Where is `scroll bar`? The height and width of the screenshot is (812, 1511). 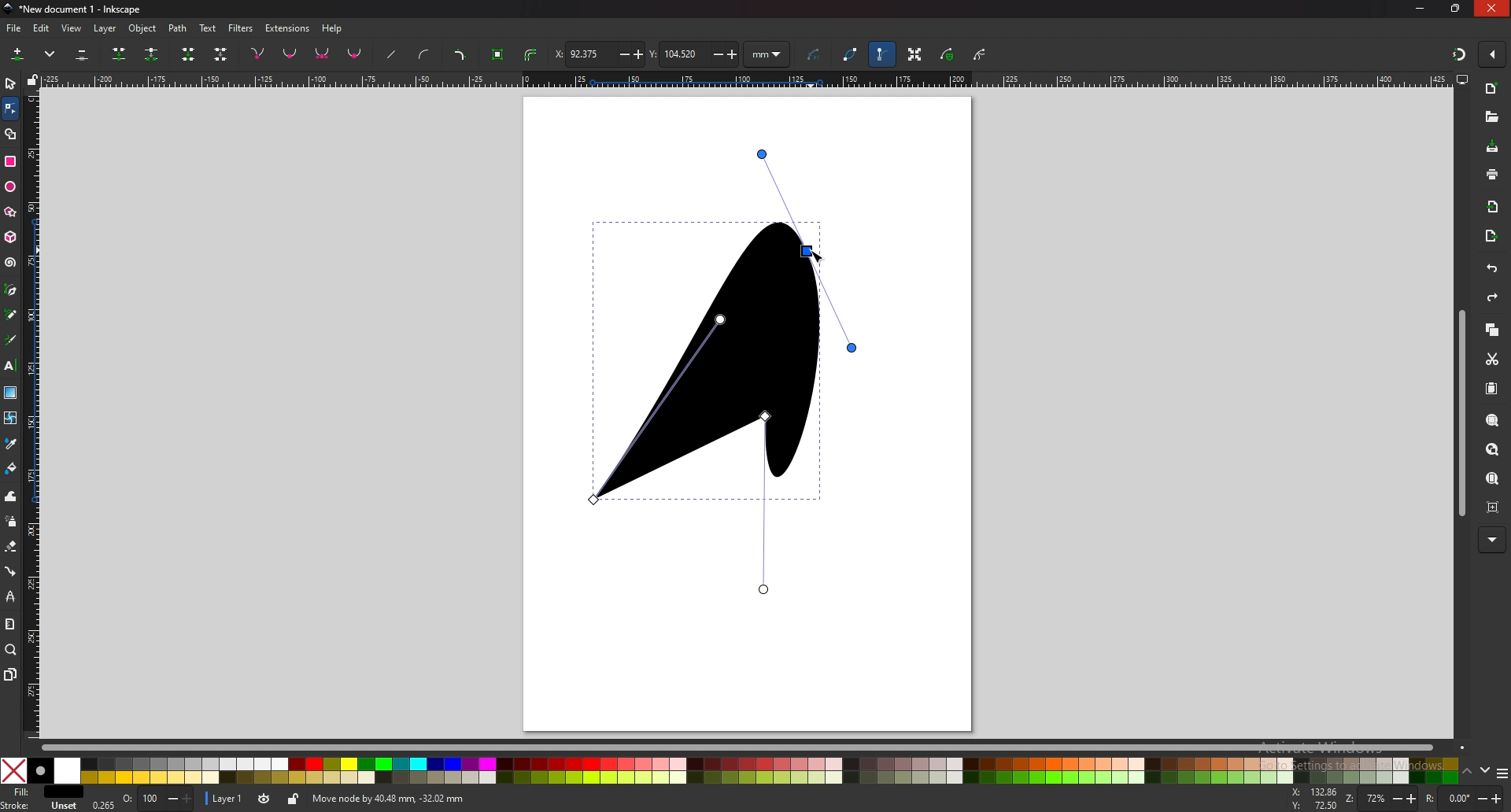 scroll bar is located at coordinates (755, 747).